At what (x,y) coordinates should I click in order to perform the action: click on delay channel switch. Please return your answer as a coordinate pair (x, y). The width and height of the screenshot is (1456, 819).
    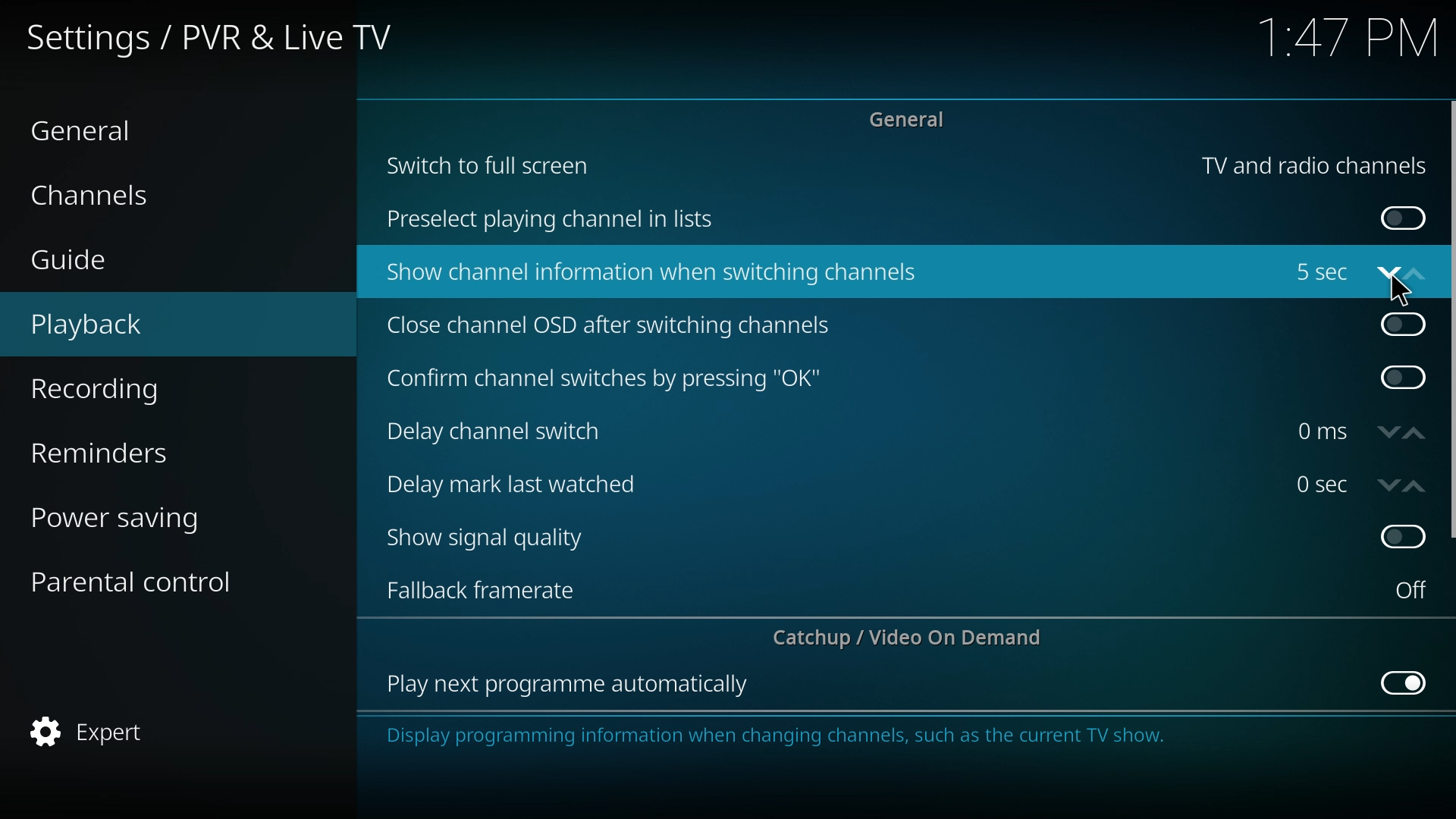
    Looking at the image, I should click on (507, 431).